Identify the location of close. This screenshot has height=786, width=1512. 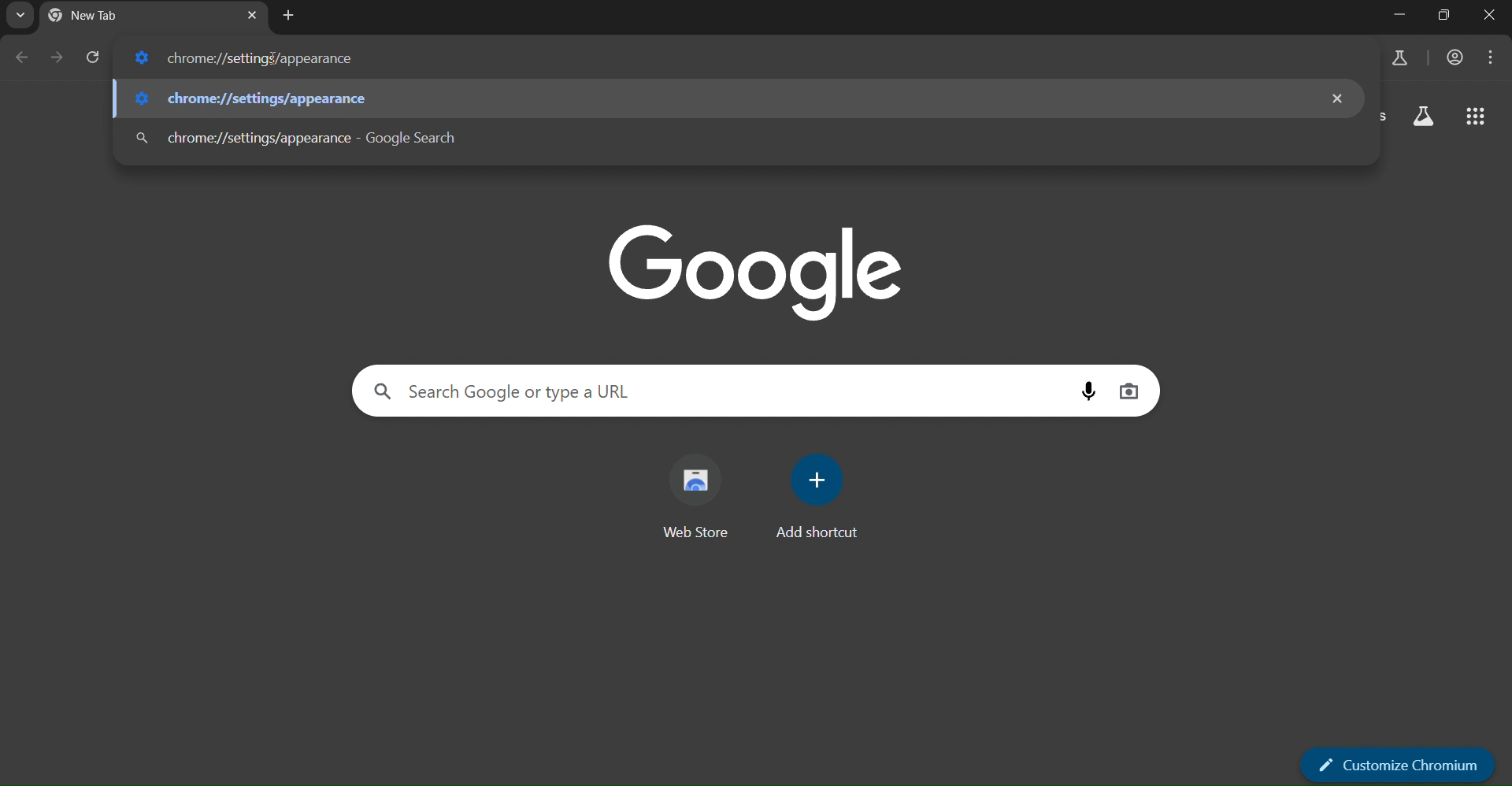
(1492, 14).